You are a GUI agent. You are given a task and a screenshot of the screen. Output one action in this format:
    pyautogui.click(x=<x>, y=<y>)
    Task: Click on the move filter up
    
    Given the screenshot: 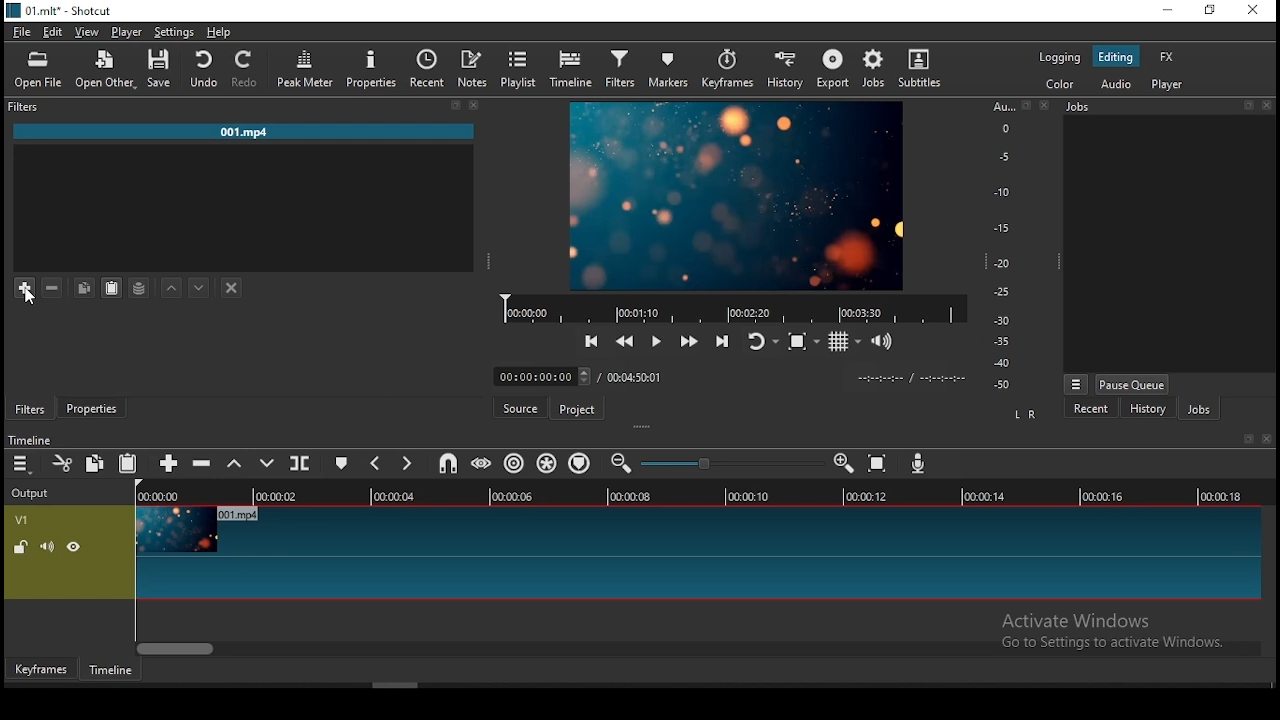 What is the action you would take?
    pyautogui.click(x=174, y=289)
    